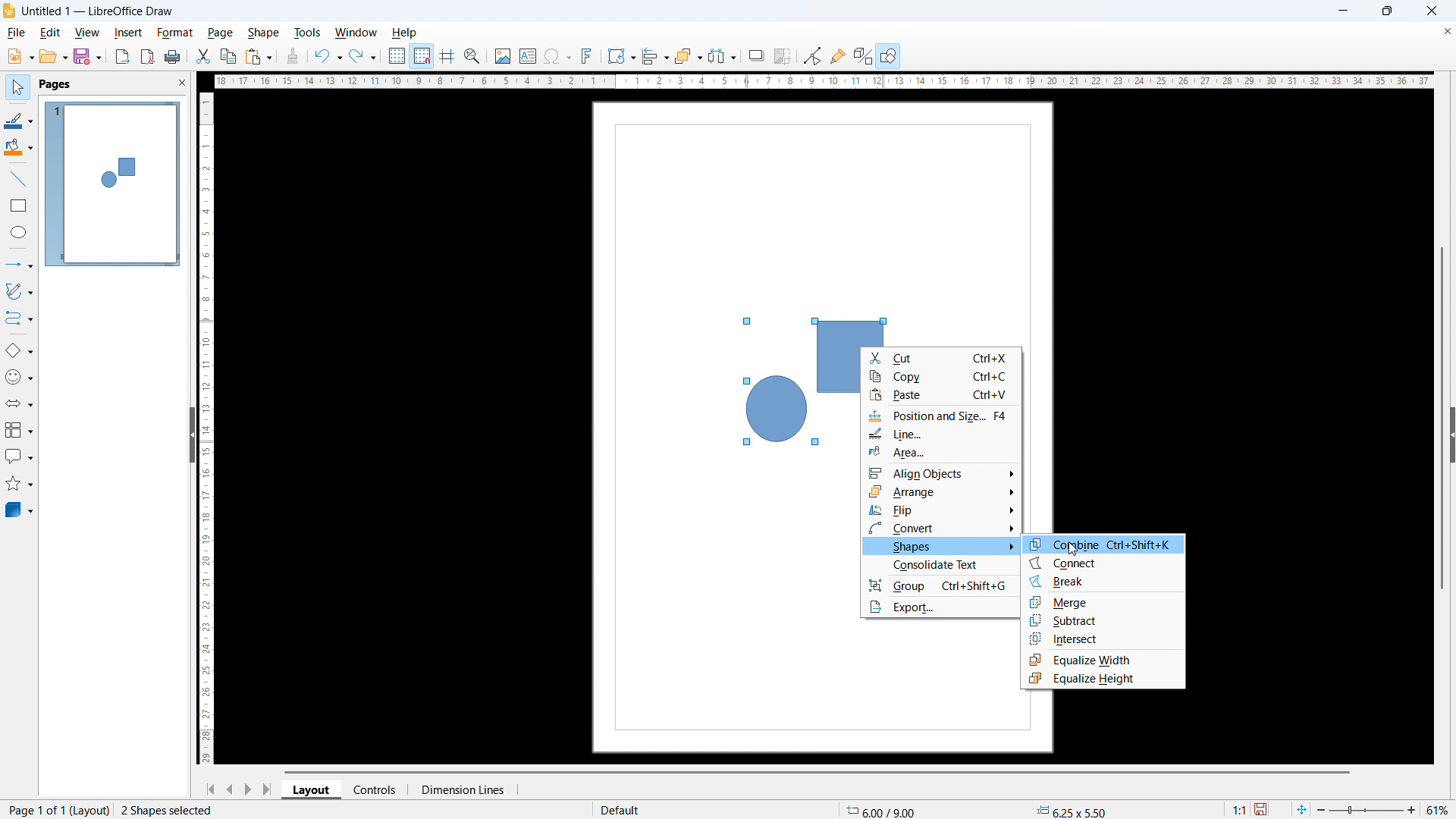  I want to click on merge, so click(1104, 601).